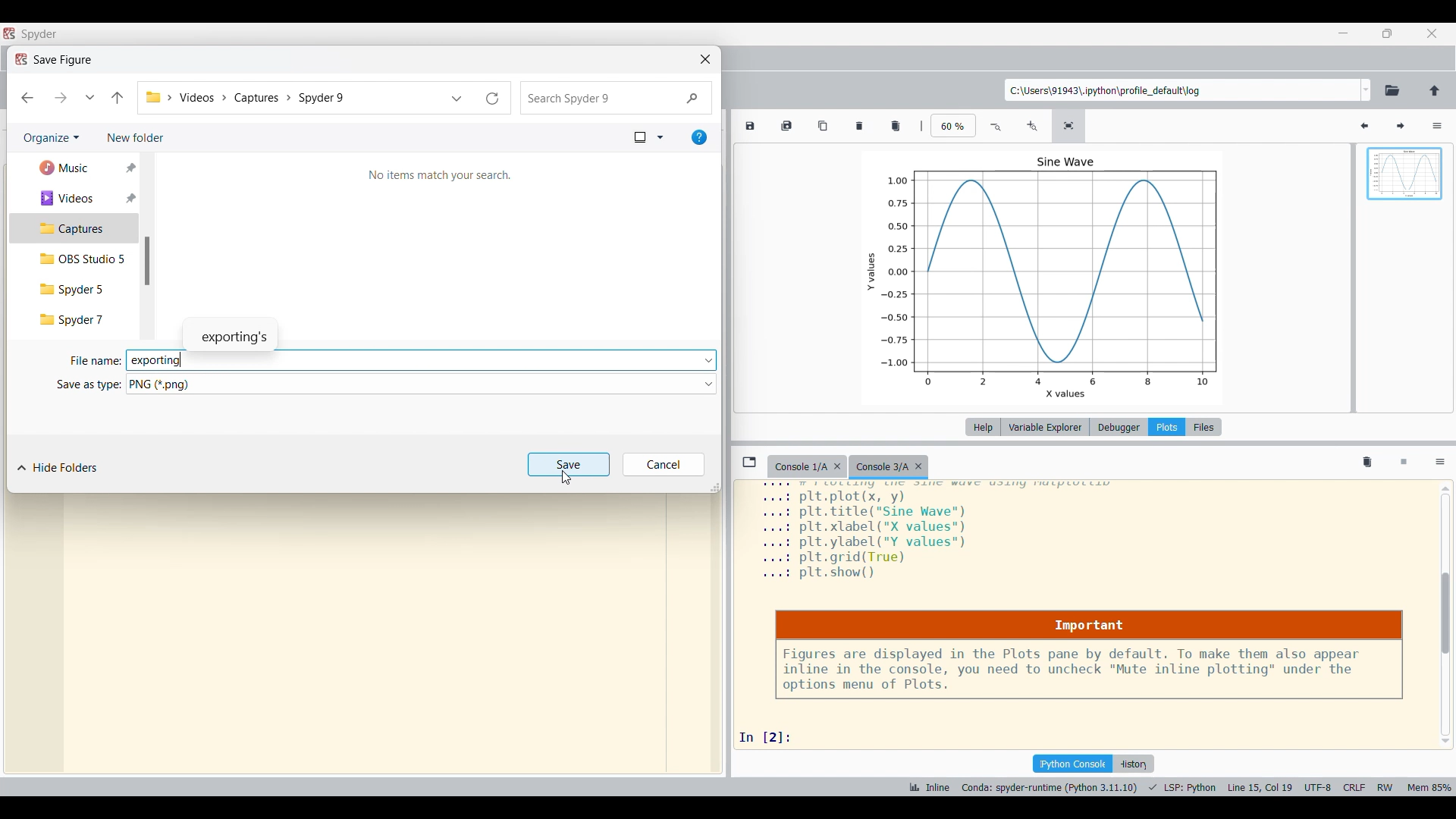 This screenshot has height=819, width=1456. What do you see at coordinates (457, 98) in the screenshot?
I see `Previous locations` at bounding box center [457, 98].